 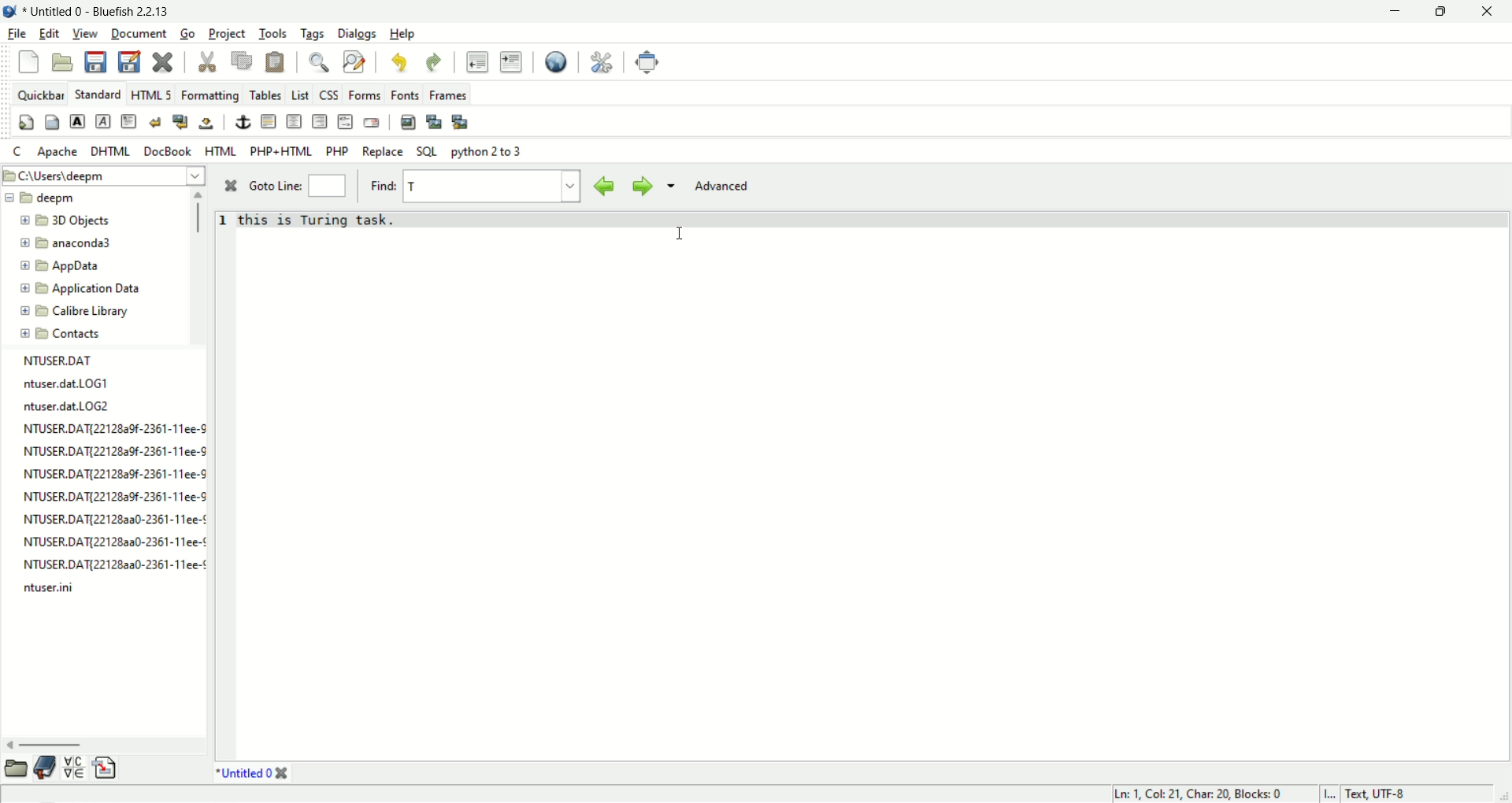 I want to click on c , so click(x=19, y=153).